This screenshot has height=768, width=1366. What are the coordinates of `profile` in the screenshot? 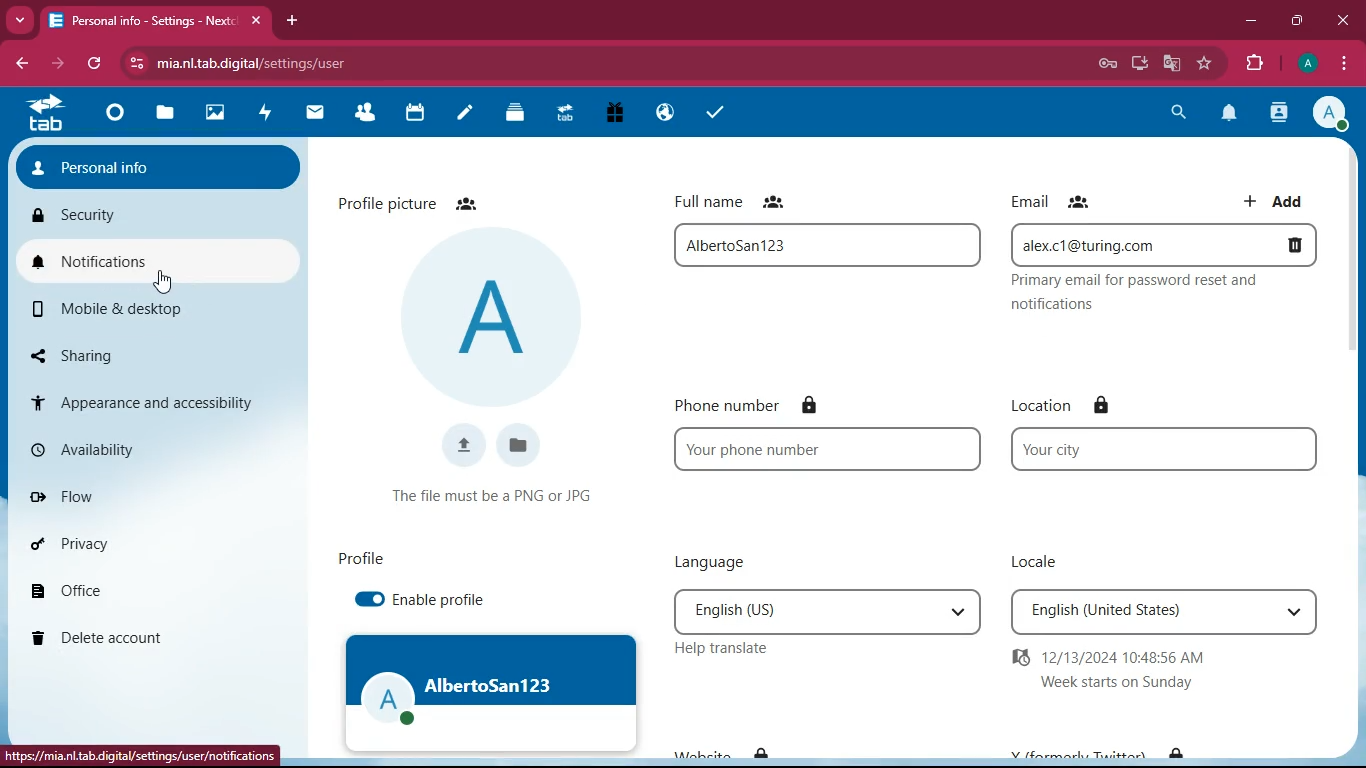 It's located at (363, 561).